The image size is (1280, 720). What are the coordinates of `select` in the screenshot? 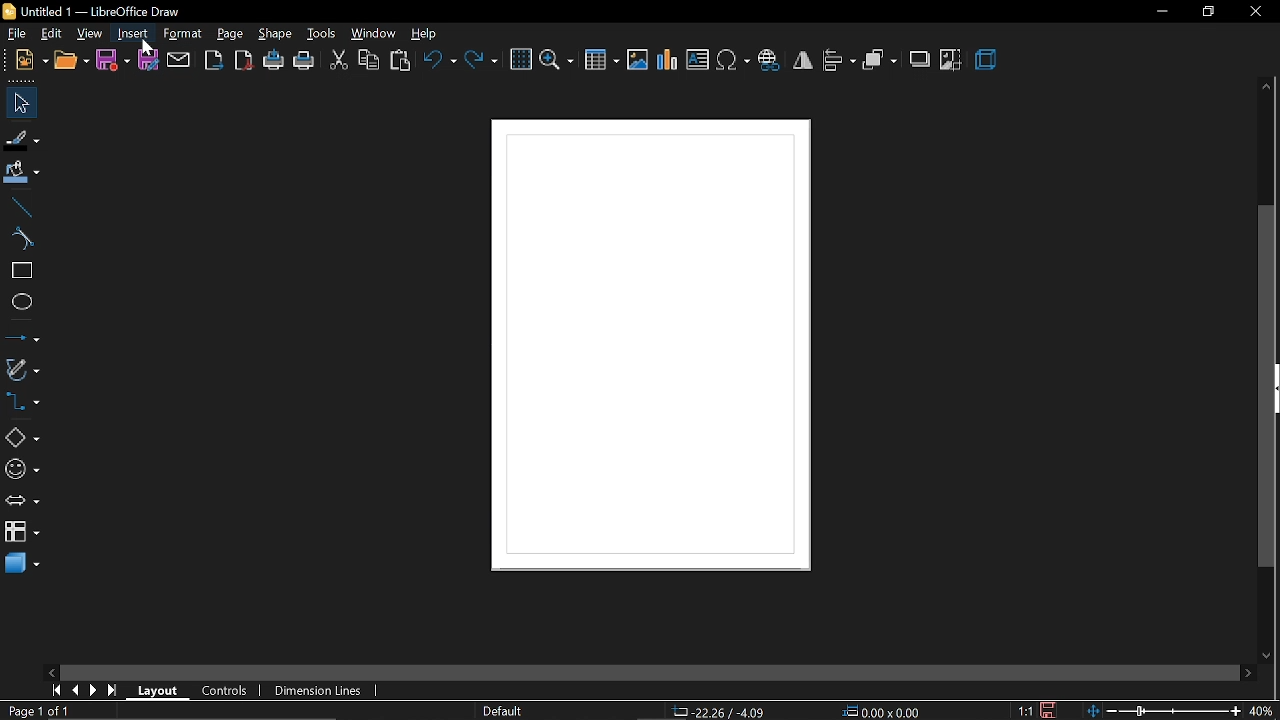 It's located at (18, 101).